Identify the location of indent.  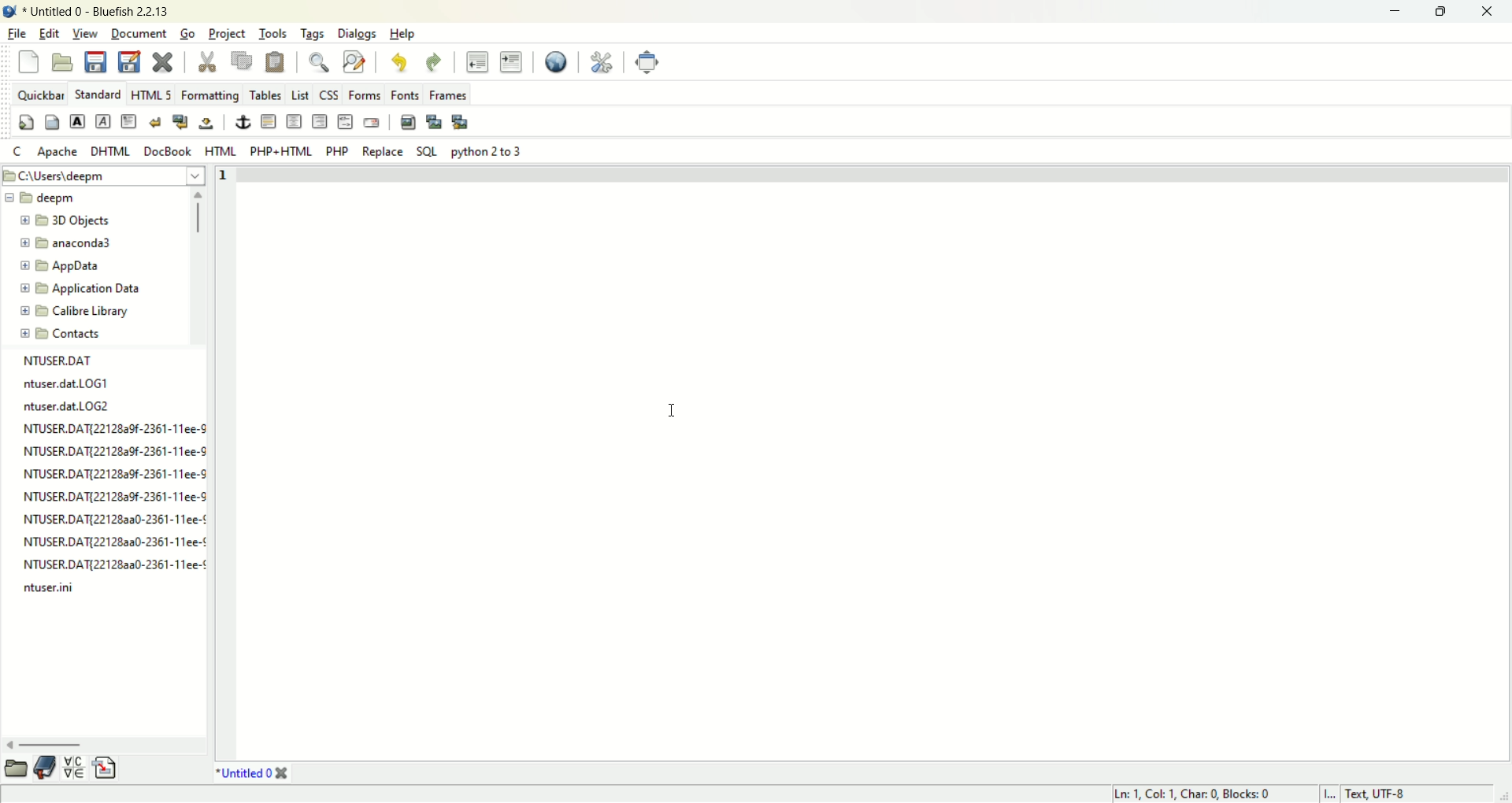
(512, 62).